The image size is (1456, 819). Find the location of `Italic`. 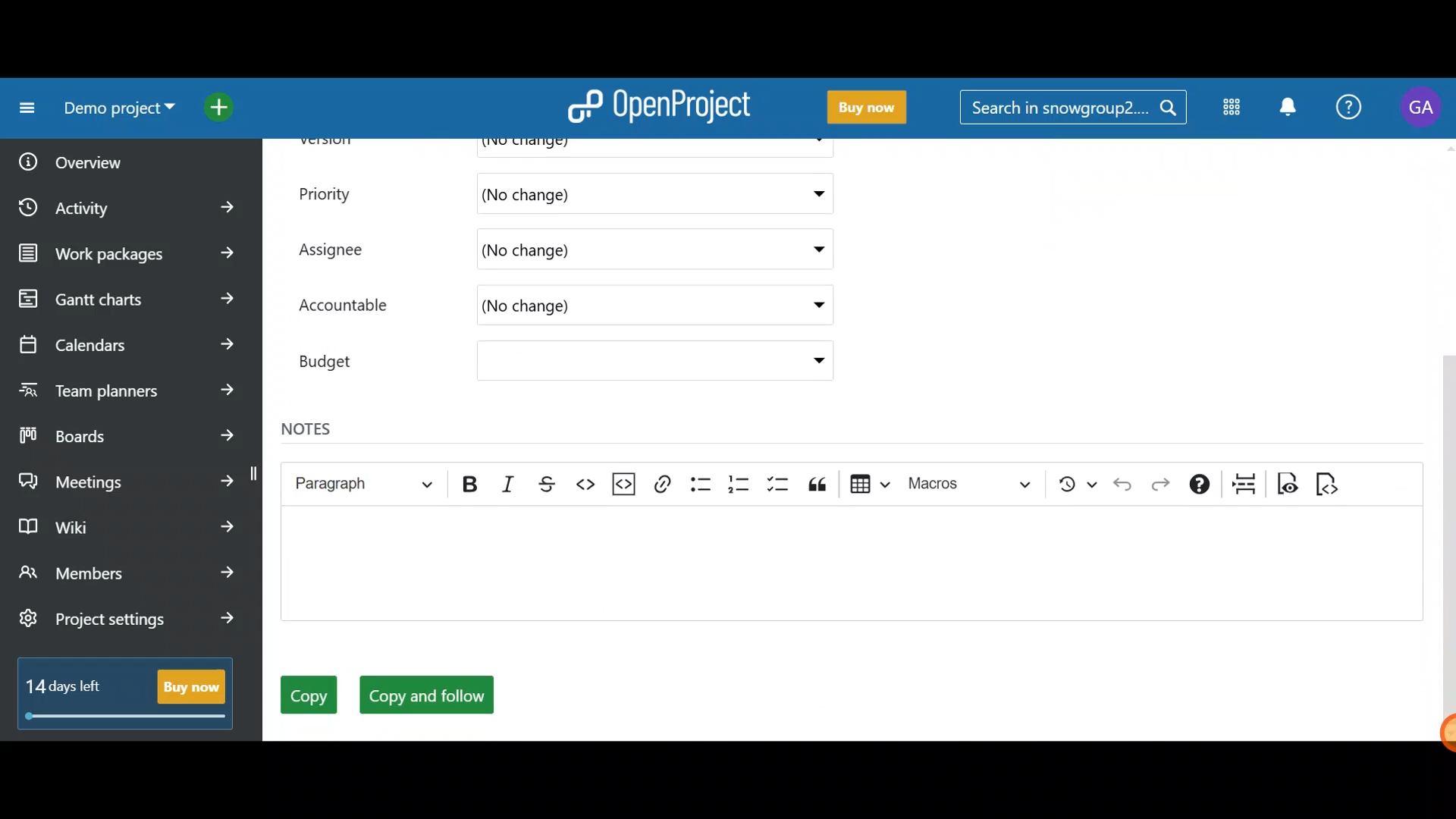

Italic is located at coordinates (515, 486).